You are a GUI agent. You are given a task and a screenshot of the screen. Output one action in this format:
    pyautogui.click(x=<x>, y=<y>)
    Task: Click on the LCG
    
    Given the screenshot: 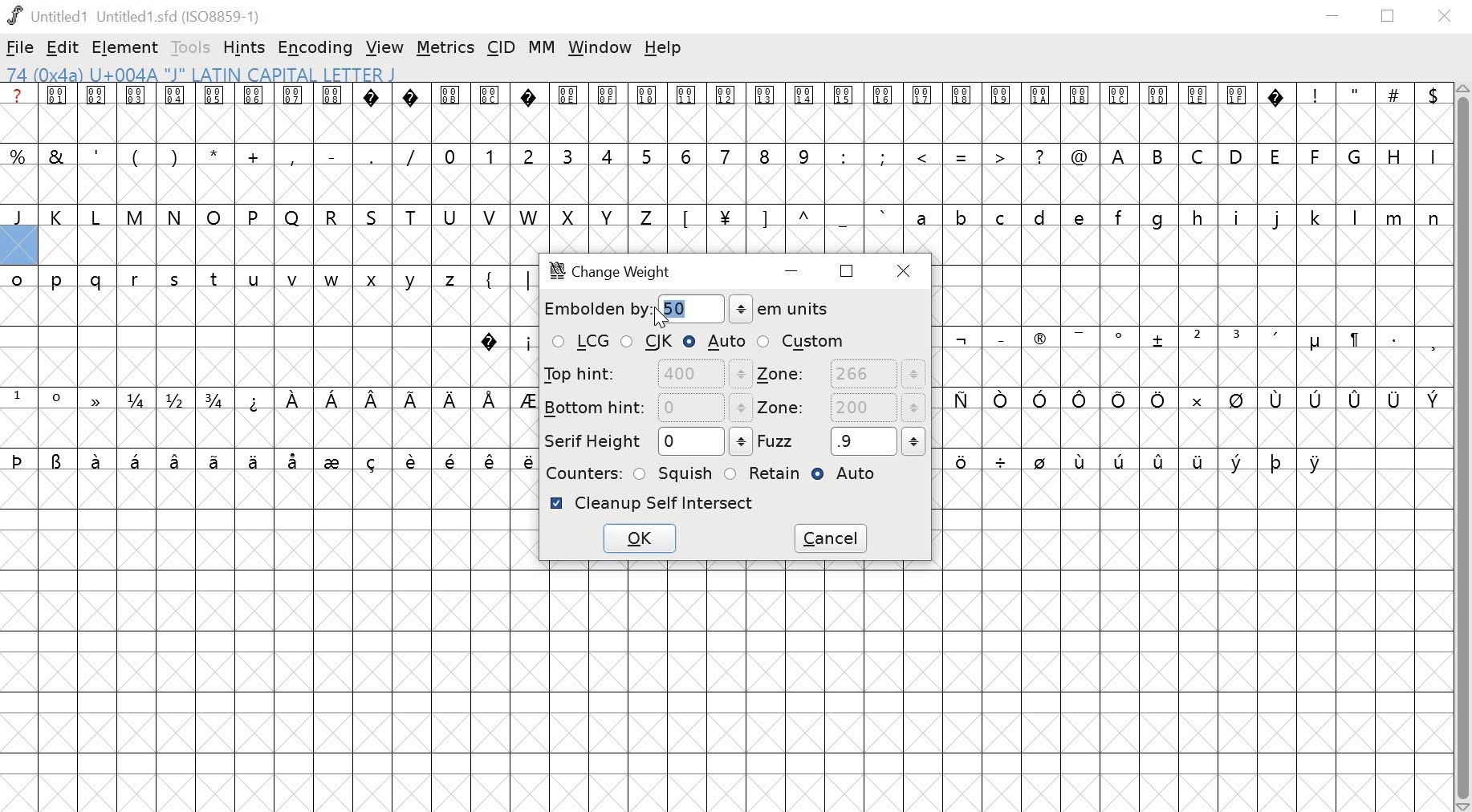 What is the action you would take?
    pyautogui.click(x=579, y=343)
    